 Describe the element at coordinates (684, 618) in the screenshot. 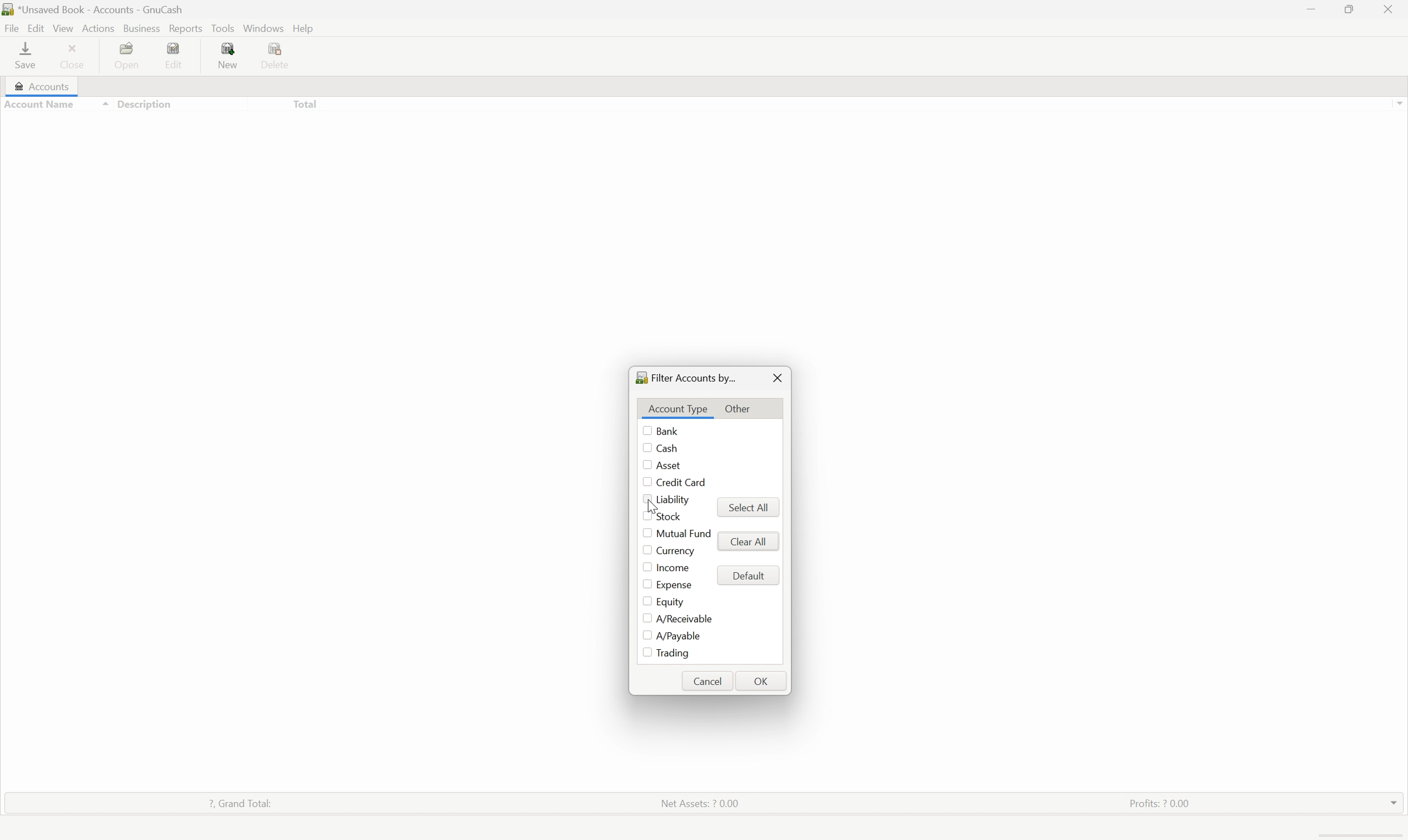

I see `A/Receivable` at that location.